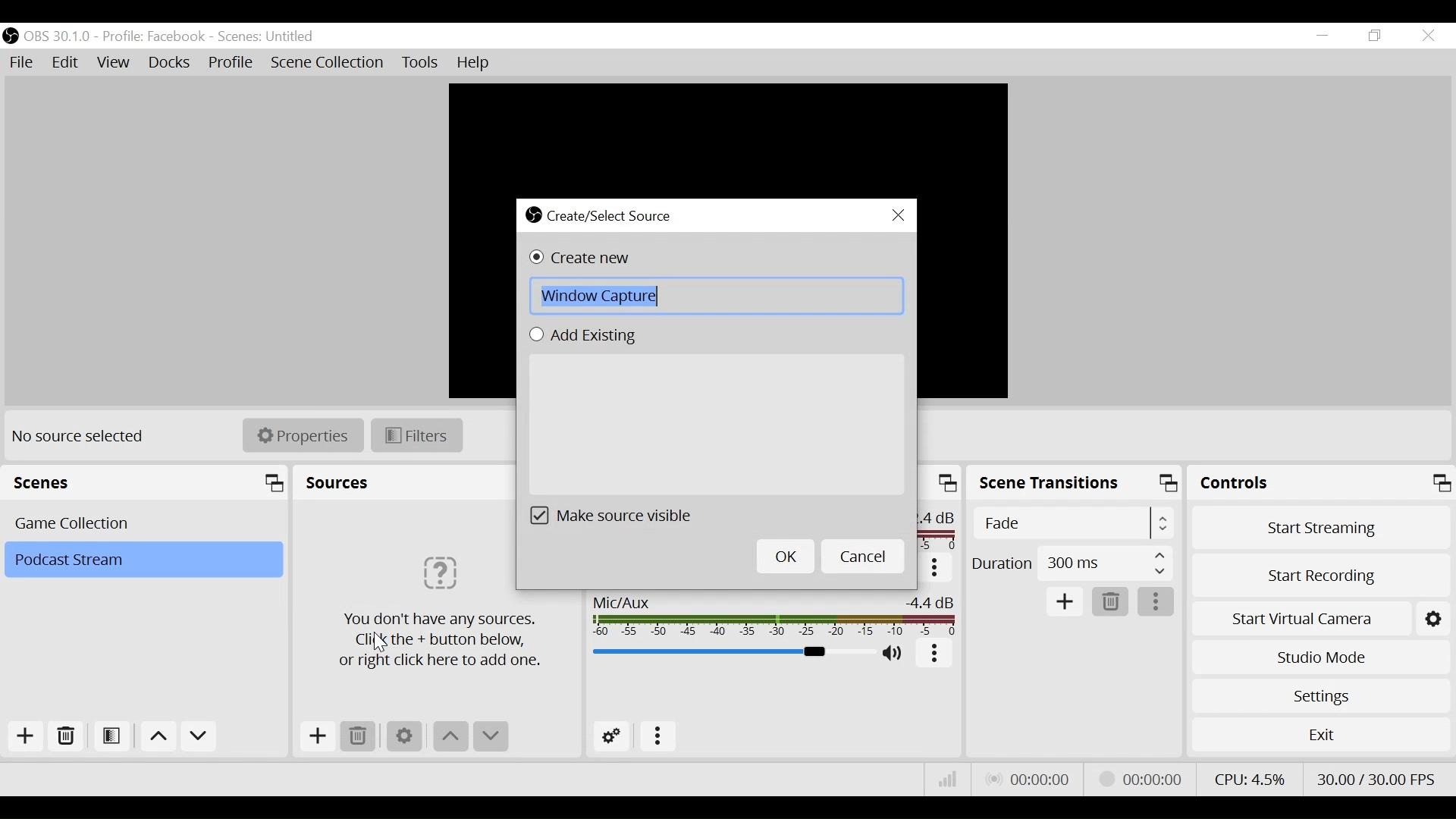  I want to click on Field Name, so click(717, 297).